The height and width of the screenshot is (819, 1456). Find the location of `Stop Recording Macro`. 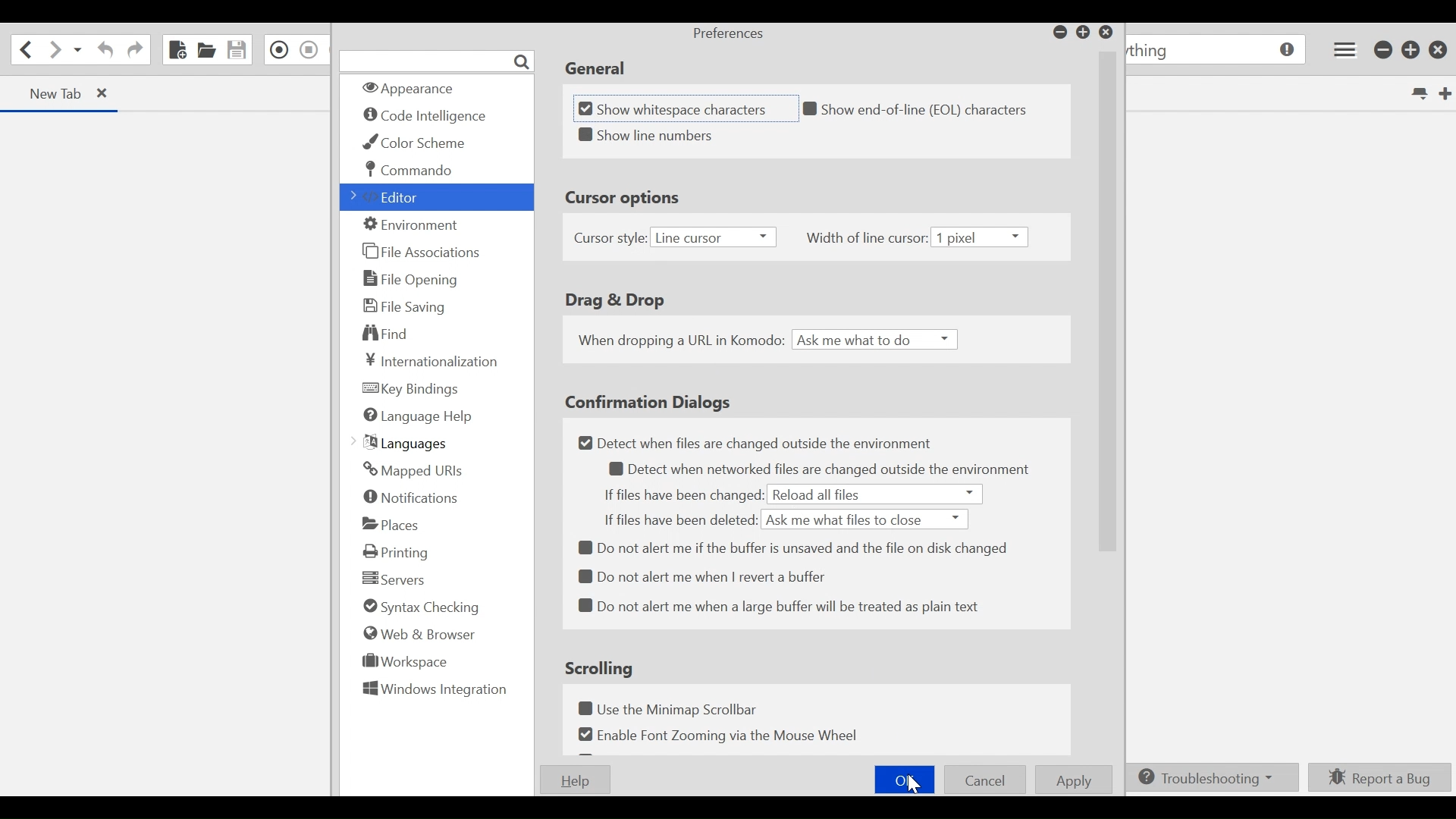

Stop Recording Macro is located at coordinates (309, 50).